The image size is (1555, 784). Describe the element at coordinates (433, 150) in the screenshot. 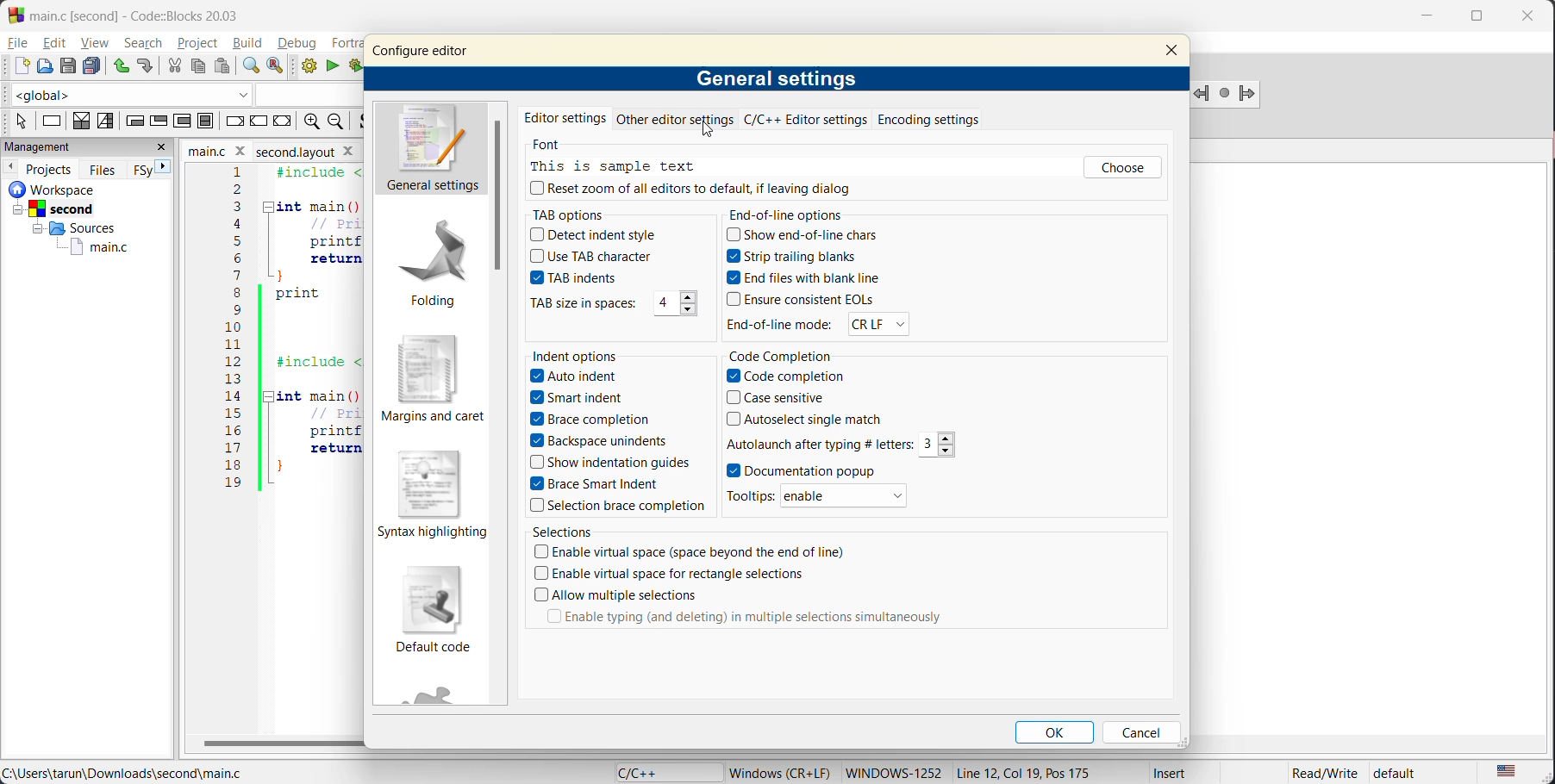

I see `general settings` at that location.